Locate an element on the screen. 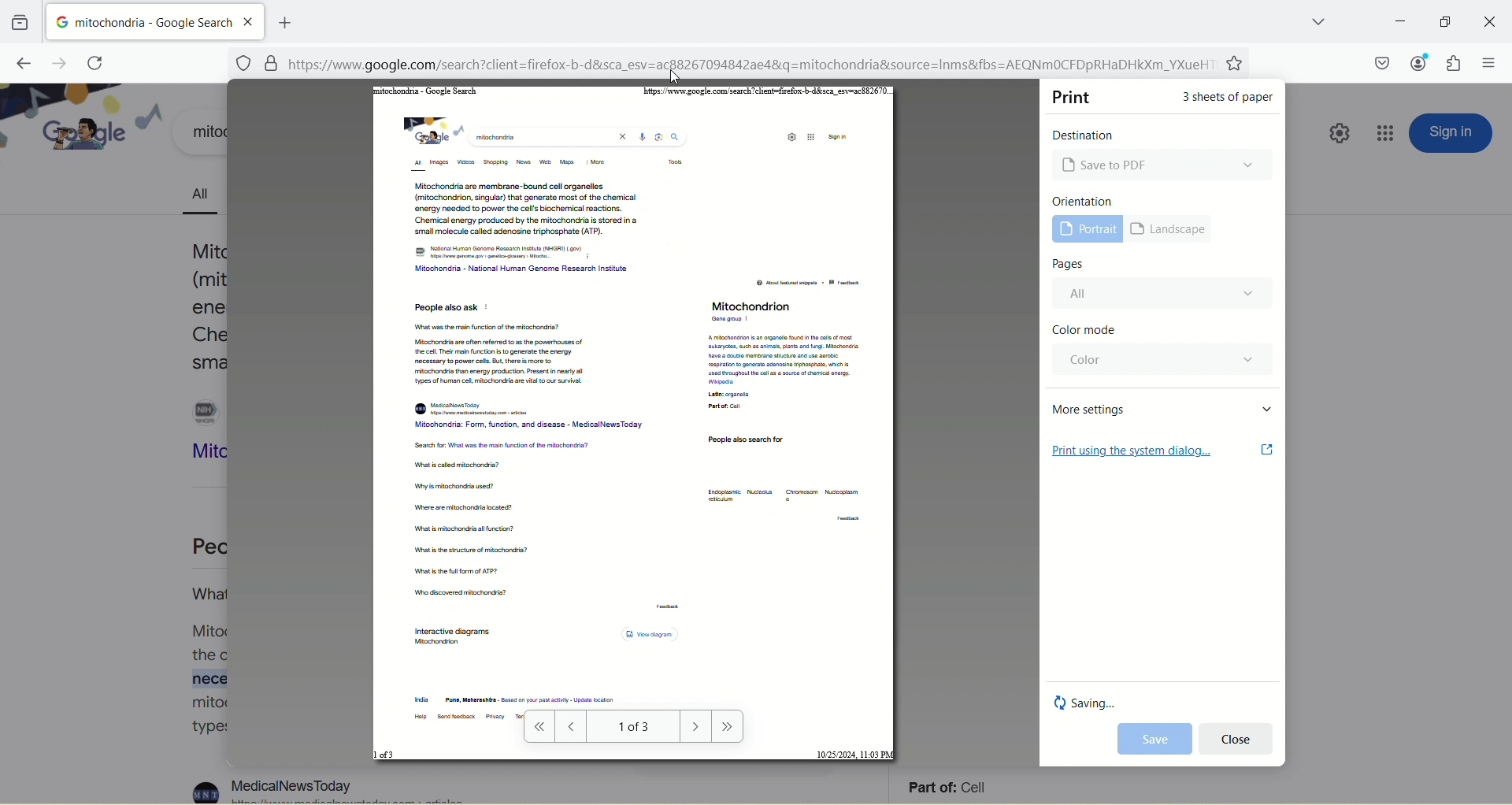 The width and height of the screenshot is (1512, 805). google apps is located at coordinates (1387, 133).